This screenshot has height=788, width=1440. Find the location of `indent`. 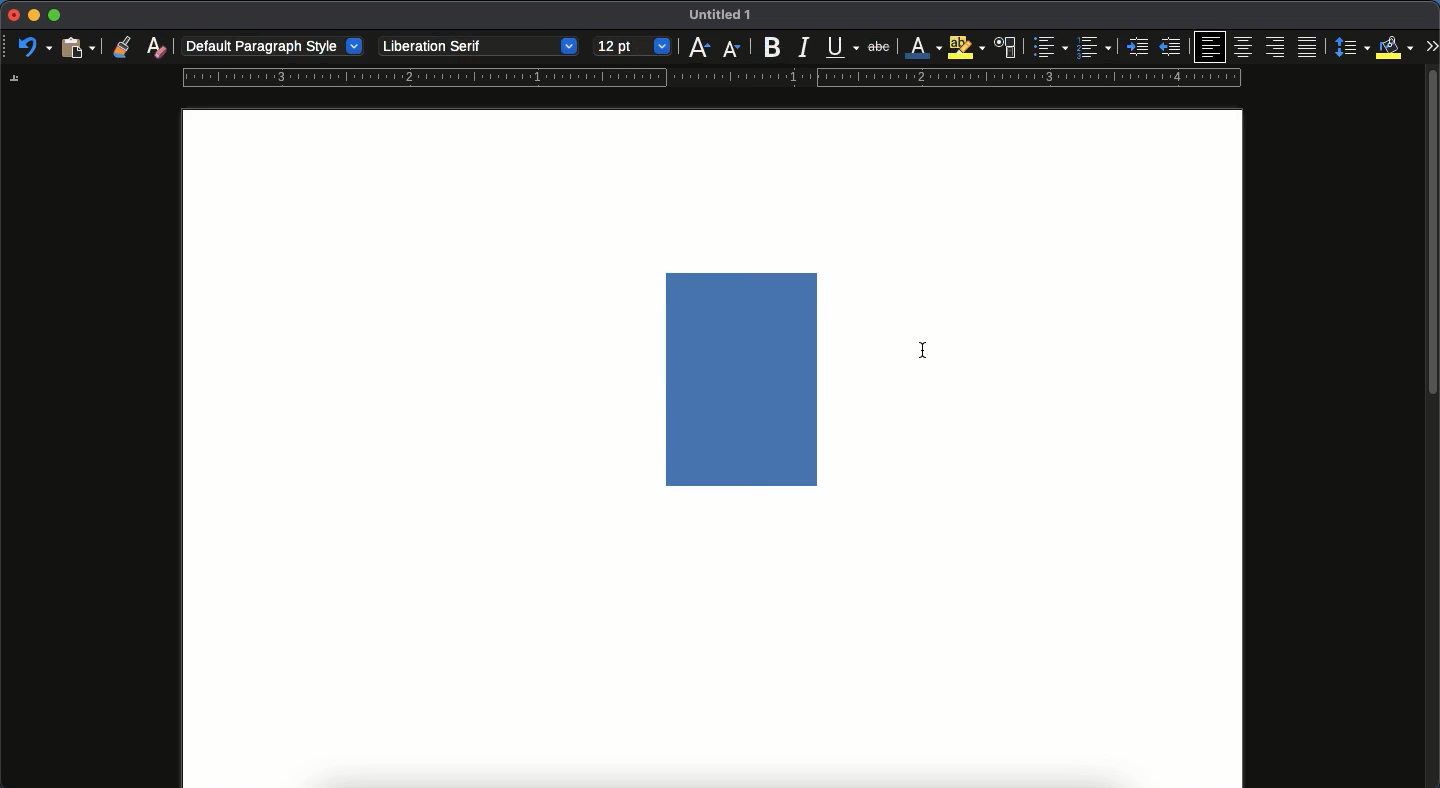

indent is located at coordinates (1139, 47).